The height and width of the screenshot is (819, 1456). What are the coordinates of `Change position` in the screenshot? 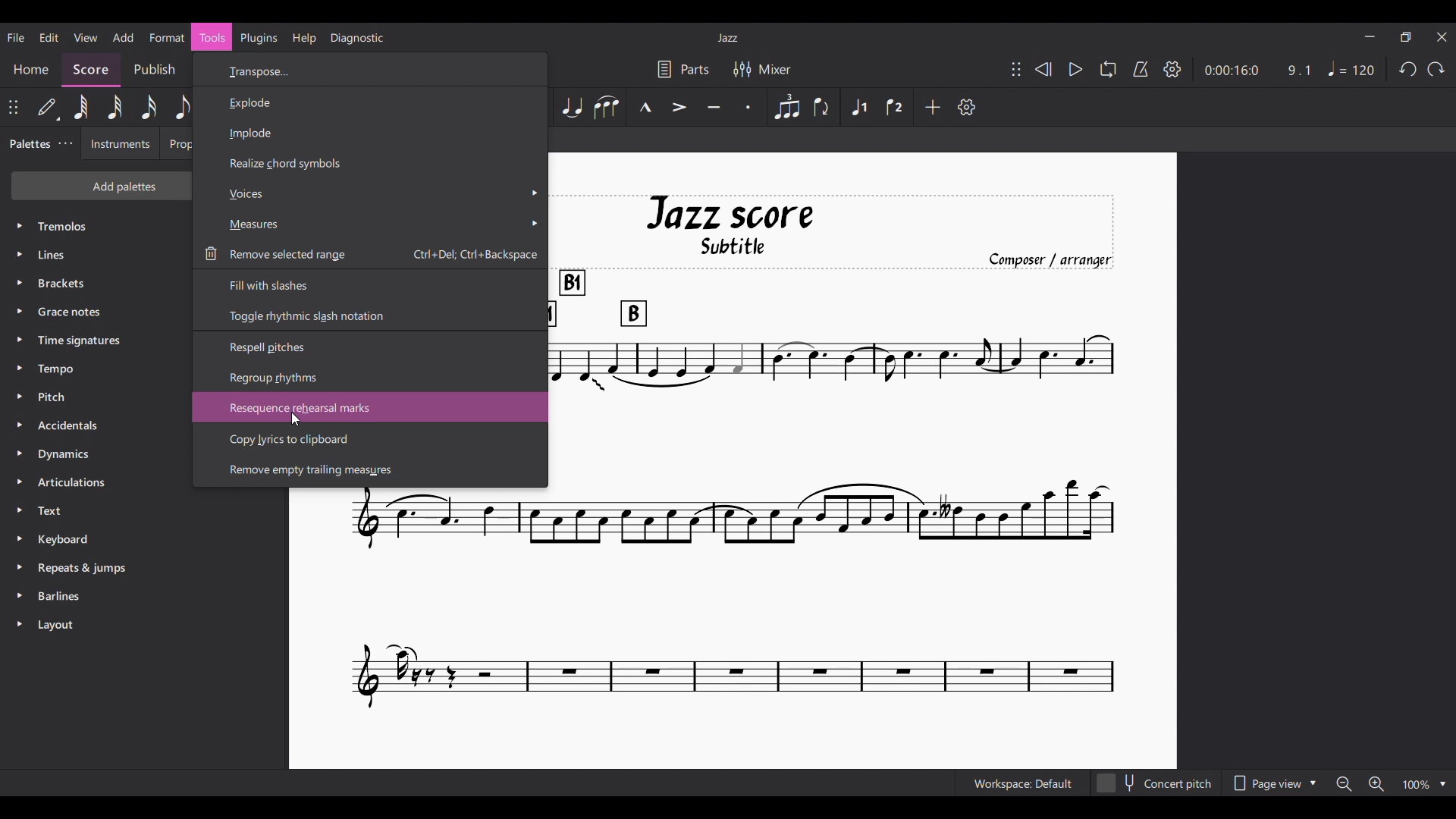 It's located at (13, 107).